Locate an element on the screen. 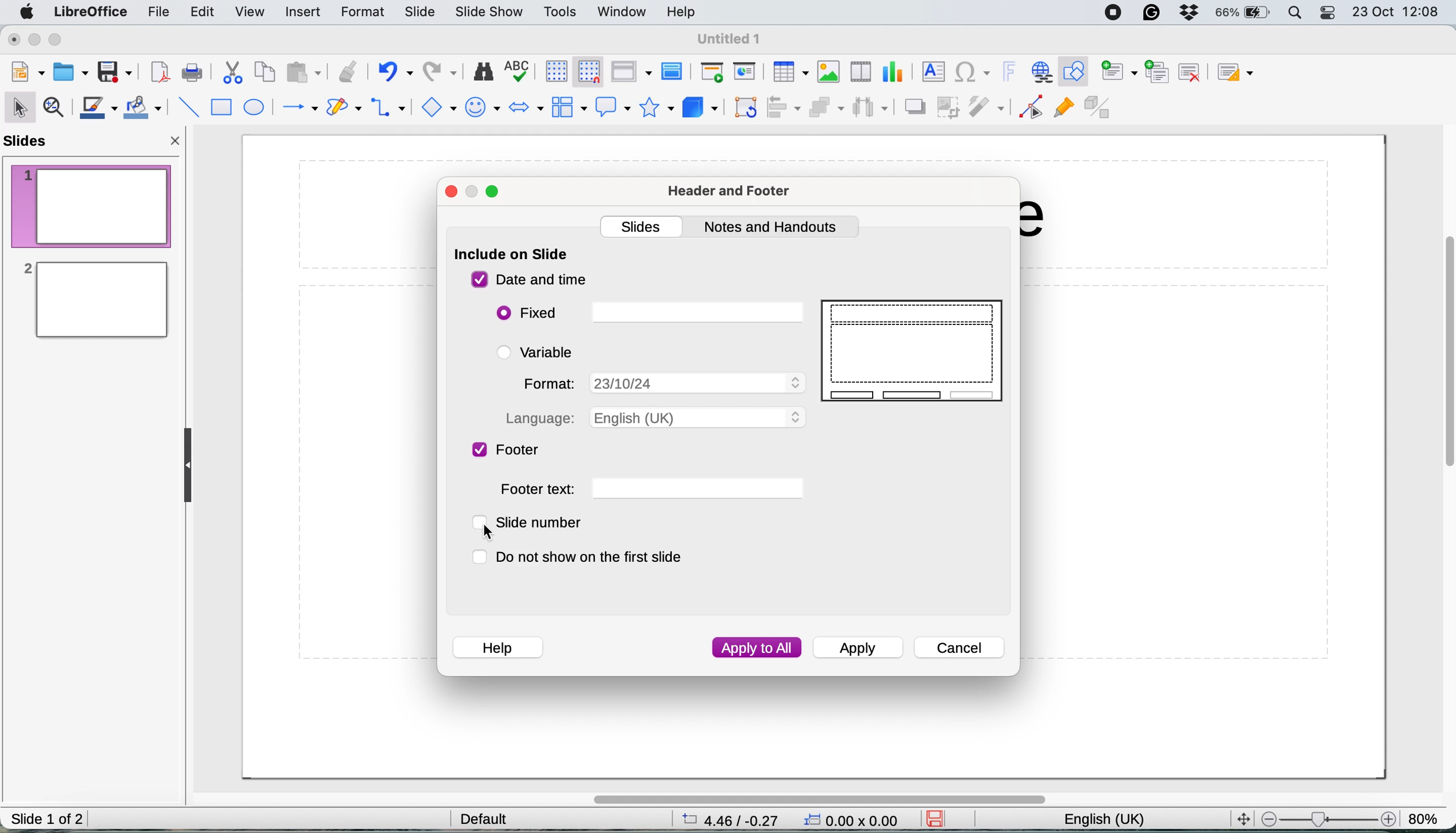 Image resolution: width=1456 pixels, height=833 pixels. start from first slide is located at coordinates (712, 73).